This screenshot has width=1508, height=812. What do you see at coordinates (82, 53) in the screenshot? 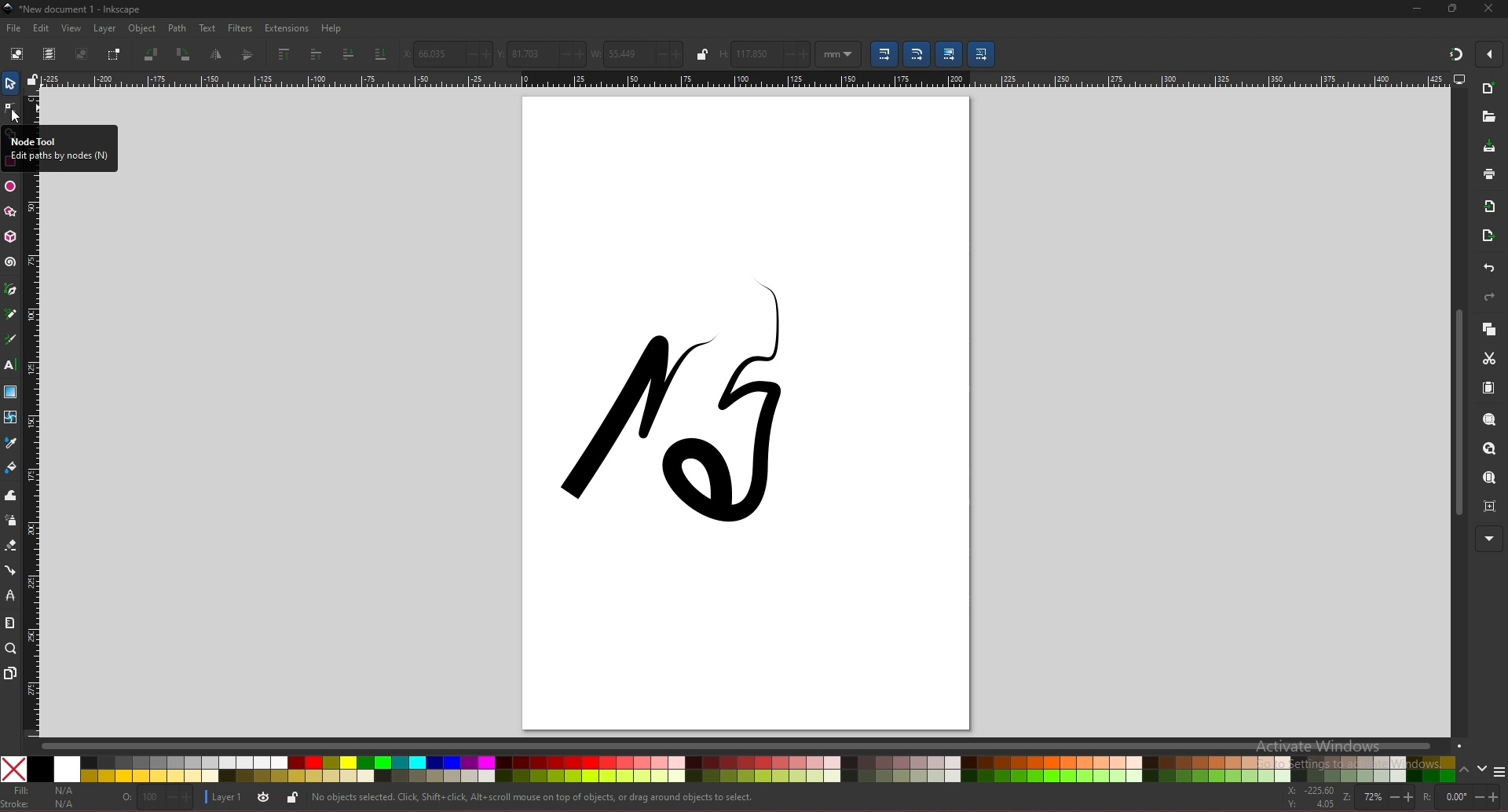
I see `deselect` at bounding box center [82, 53].